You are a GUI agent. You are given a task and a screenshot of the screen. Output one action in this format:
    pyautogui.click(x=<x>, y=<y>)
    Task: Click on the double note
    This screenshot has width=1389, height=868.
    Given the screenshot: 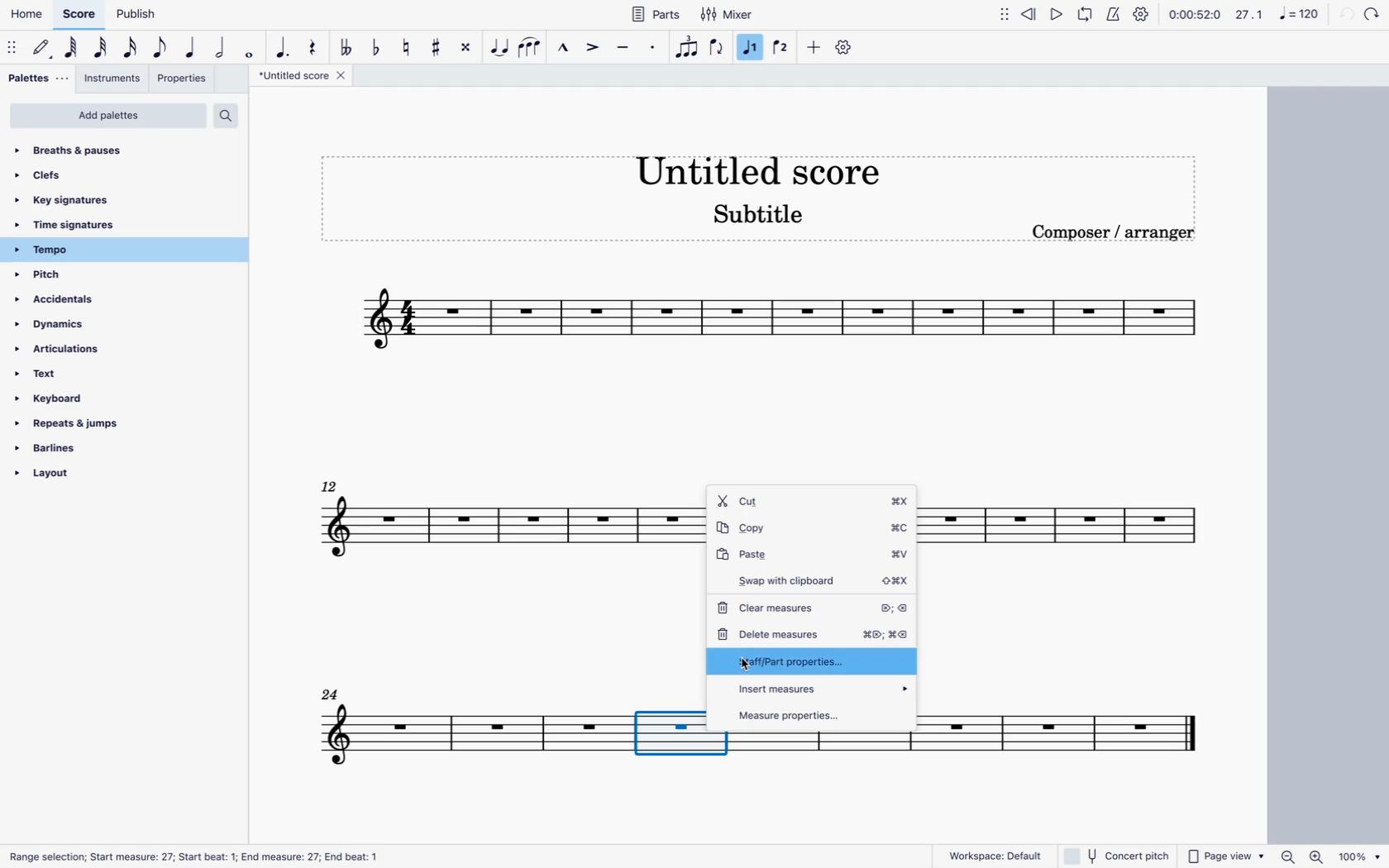 What is the action you would take?
    pyautogui.click(x=221, y=47)
    